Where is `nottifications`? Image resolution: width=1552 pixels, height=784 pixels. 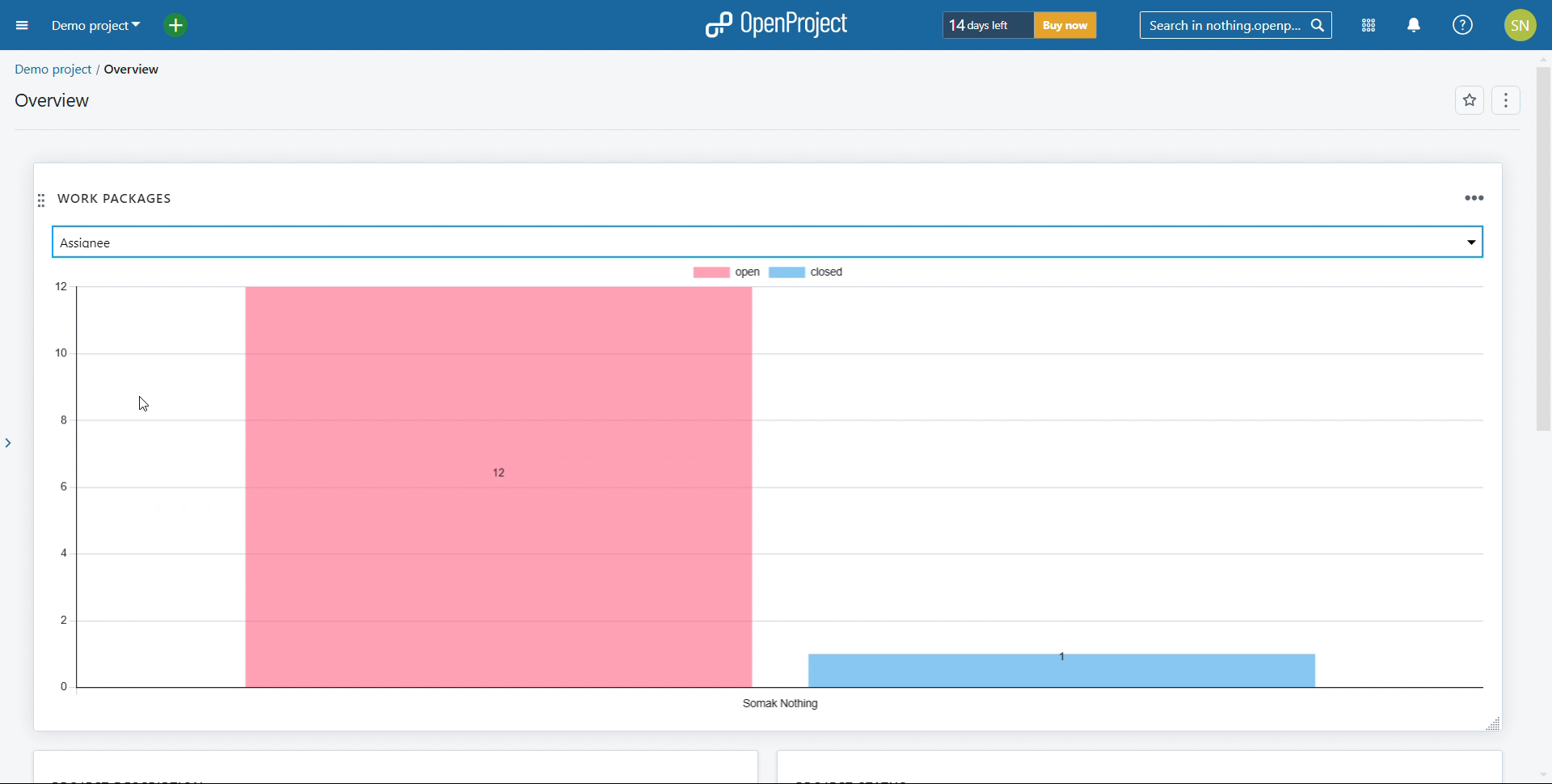 nottifications is located at coordinates (1415, 27).